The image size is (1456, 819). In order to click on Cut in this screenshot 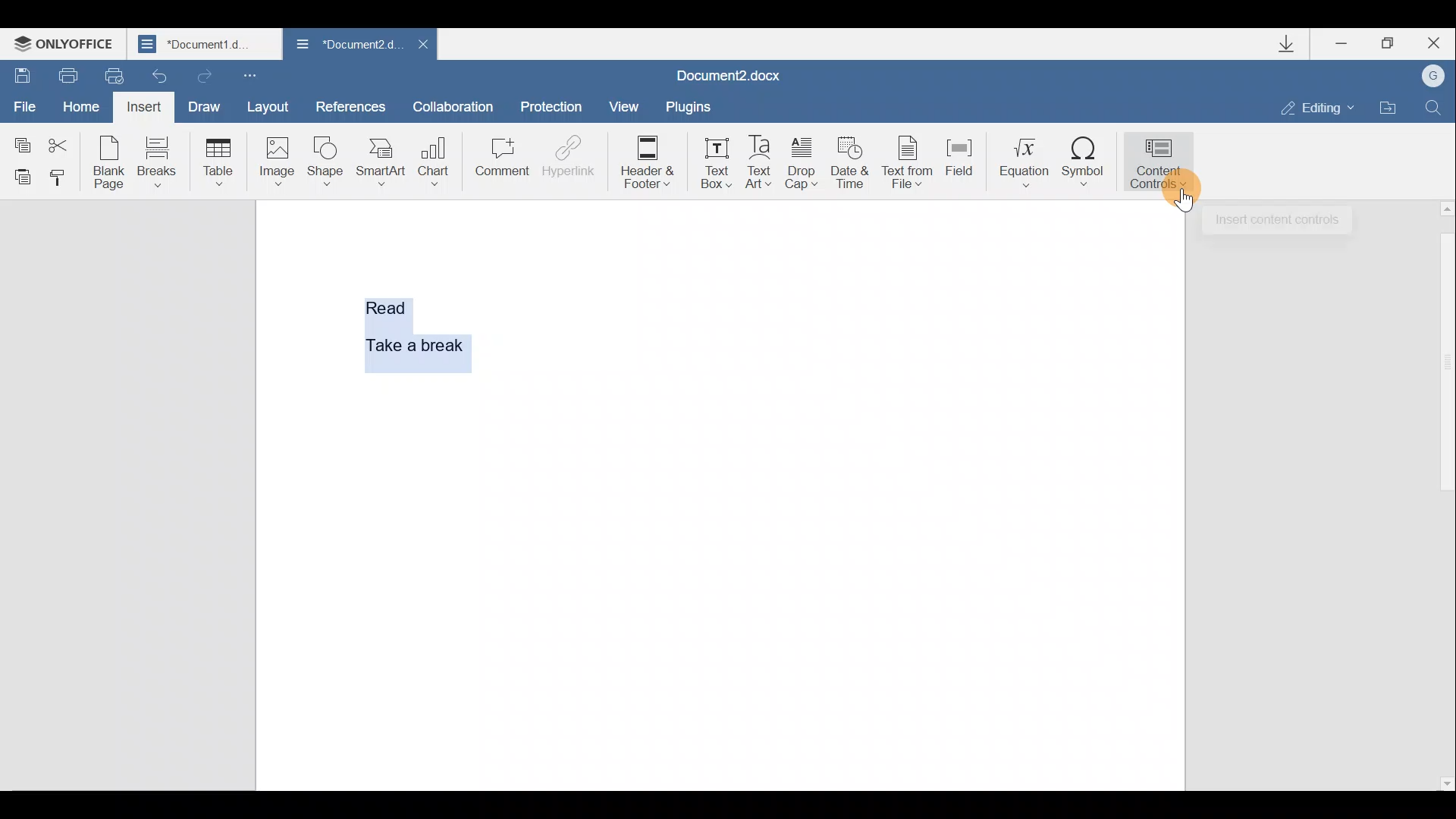, I will do `click(63, 140)`.